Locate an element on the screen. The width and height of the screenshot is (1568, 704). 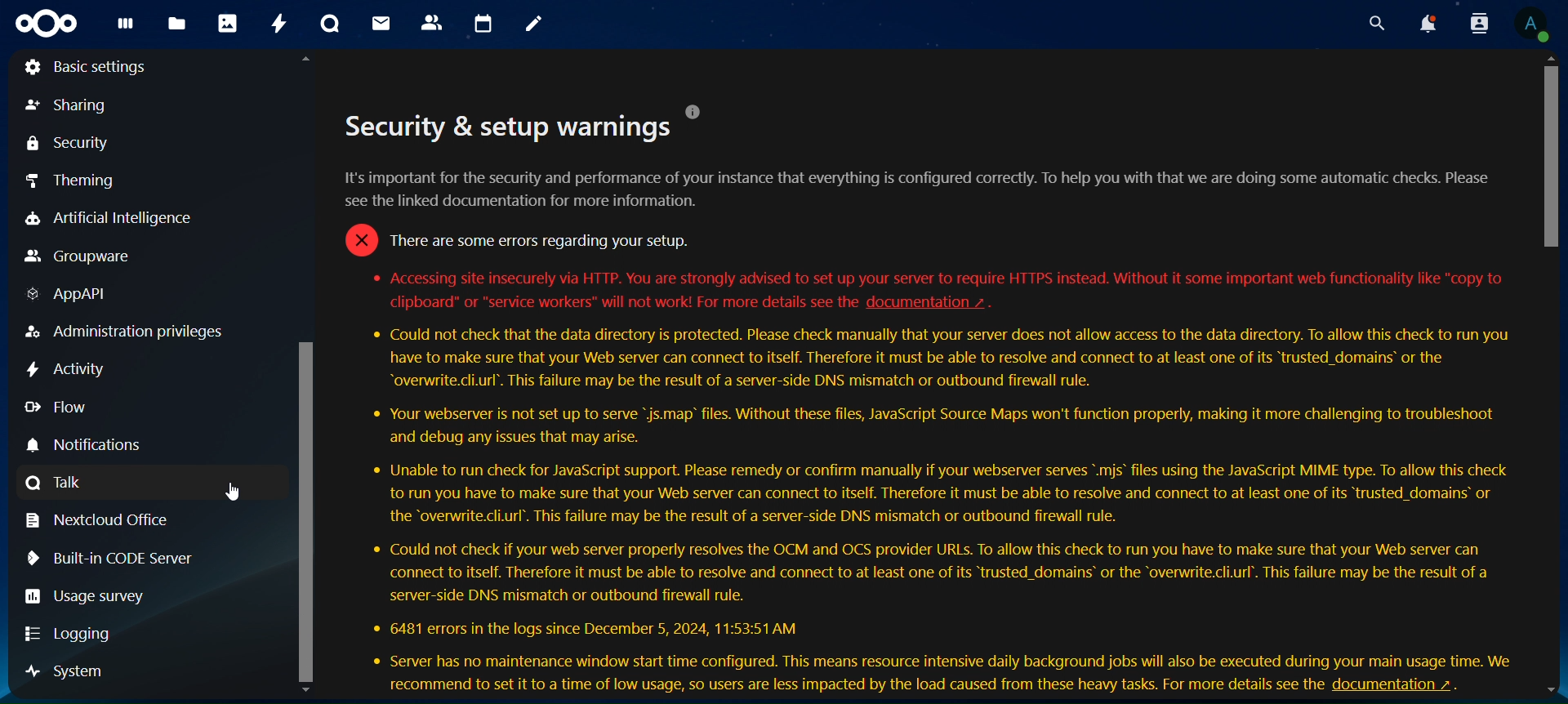
Administration privileges  is located at coordinates (127, 336).